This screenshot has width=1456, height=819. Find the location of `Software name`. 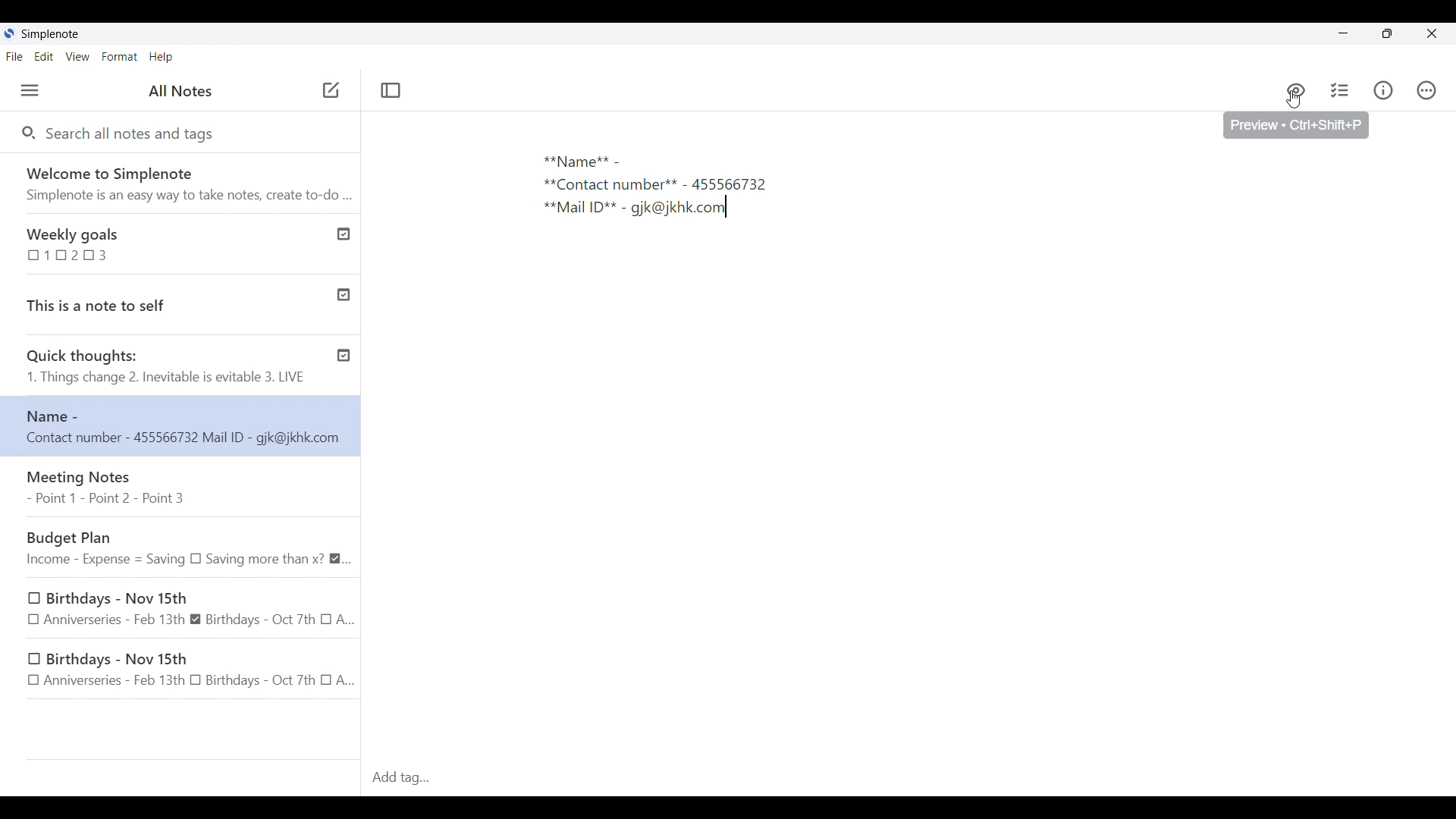

Software name is located at coordinates (50, 34).